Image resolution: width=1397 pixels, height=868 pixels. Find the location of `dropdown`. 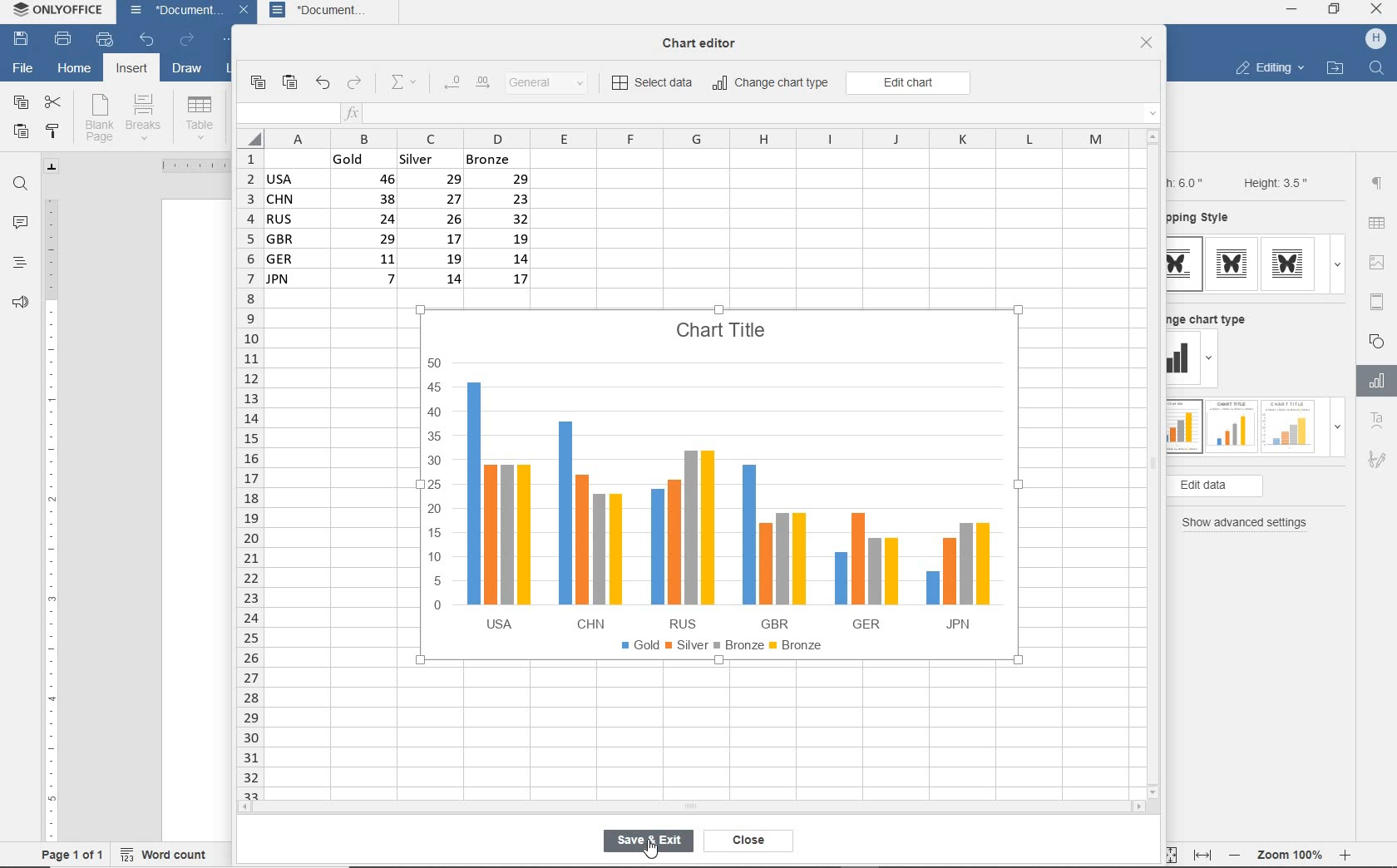

dropdown is located at coordinates (1337, 264).